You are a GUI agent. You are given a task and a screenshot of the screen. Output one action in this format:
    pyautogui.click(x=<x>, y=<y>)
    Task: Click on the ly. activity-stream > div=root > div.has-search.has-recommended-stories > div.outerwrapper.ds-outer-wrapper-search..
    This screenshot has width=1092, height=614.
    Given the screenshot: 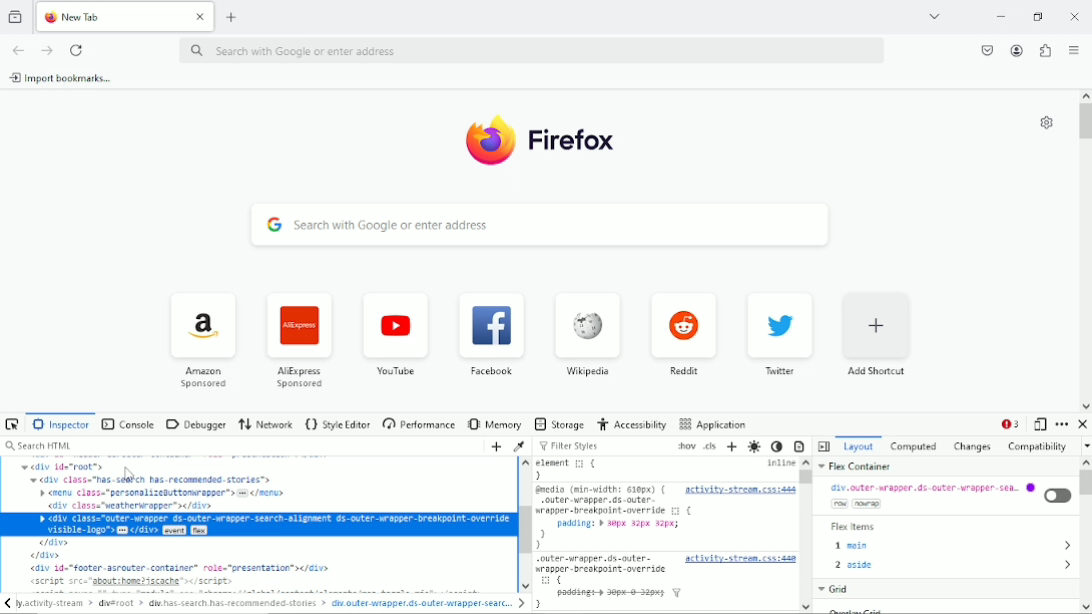 What is the action you would take?
    pyautogui.click(x=264, y=604)
    